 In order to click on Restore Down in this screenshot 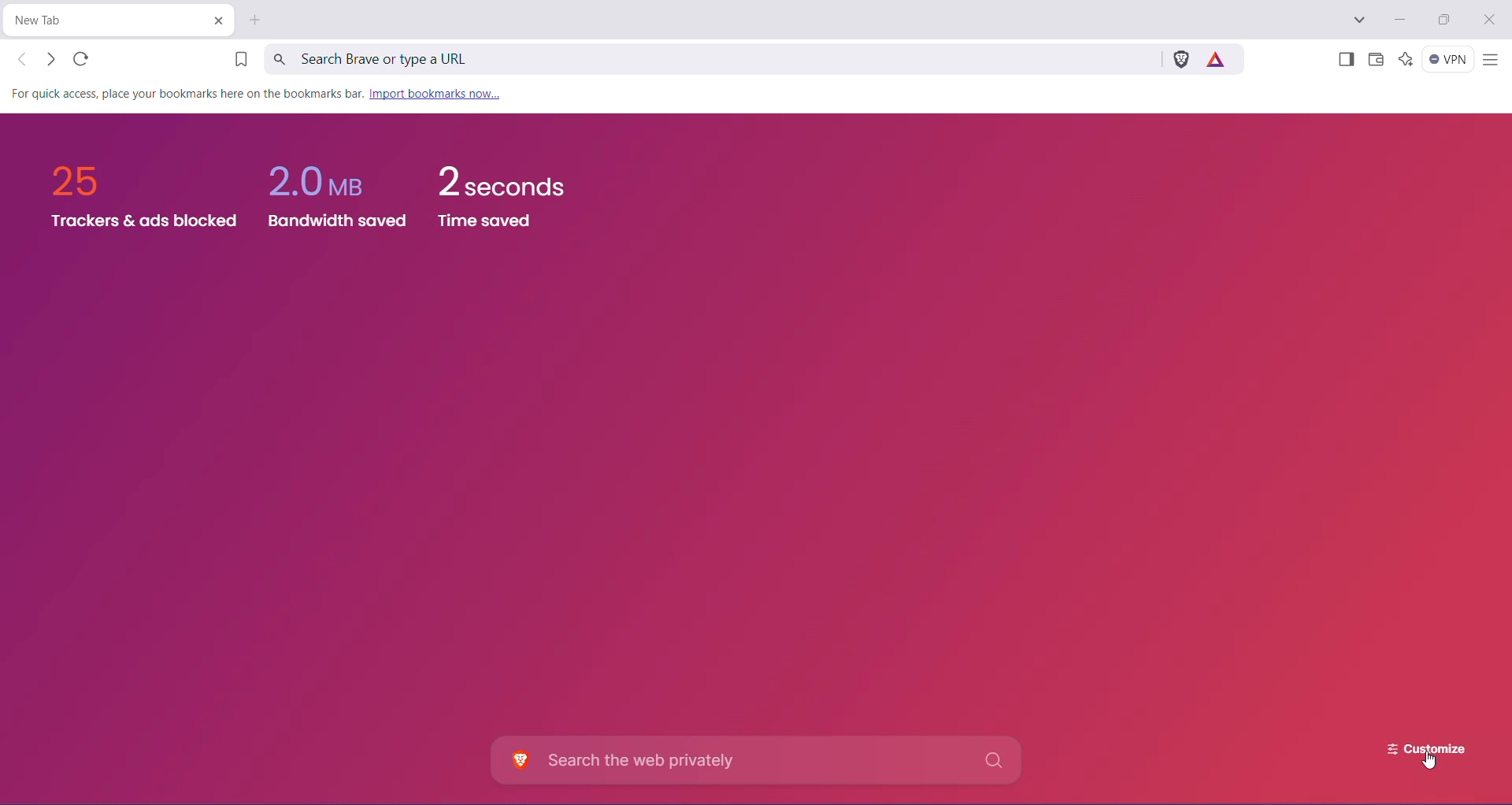, I will do `click(1447, 20)`.